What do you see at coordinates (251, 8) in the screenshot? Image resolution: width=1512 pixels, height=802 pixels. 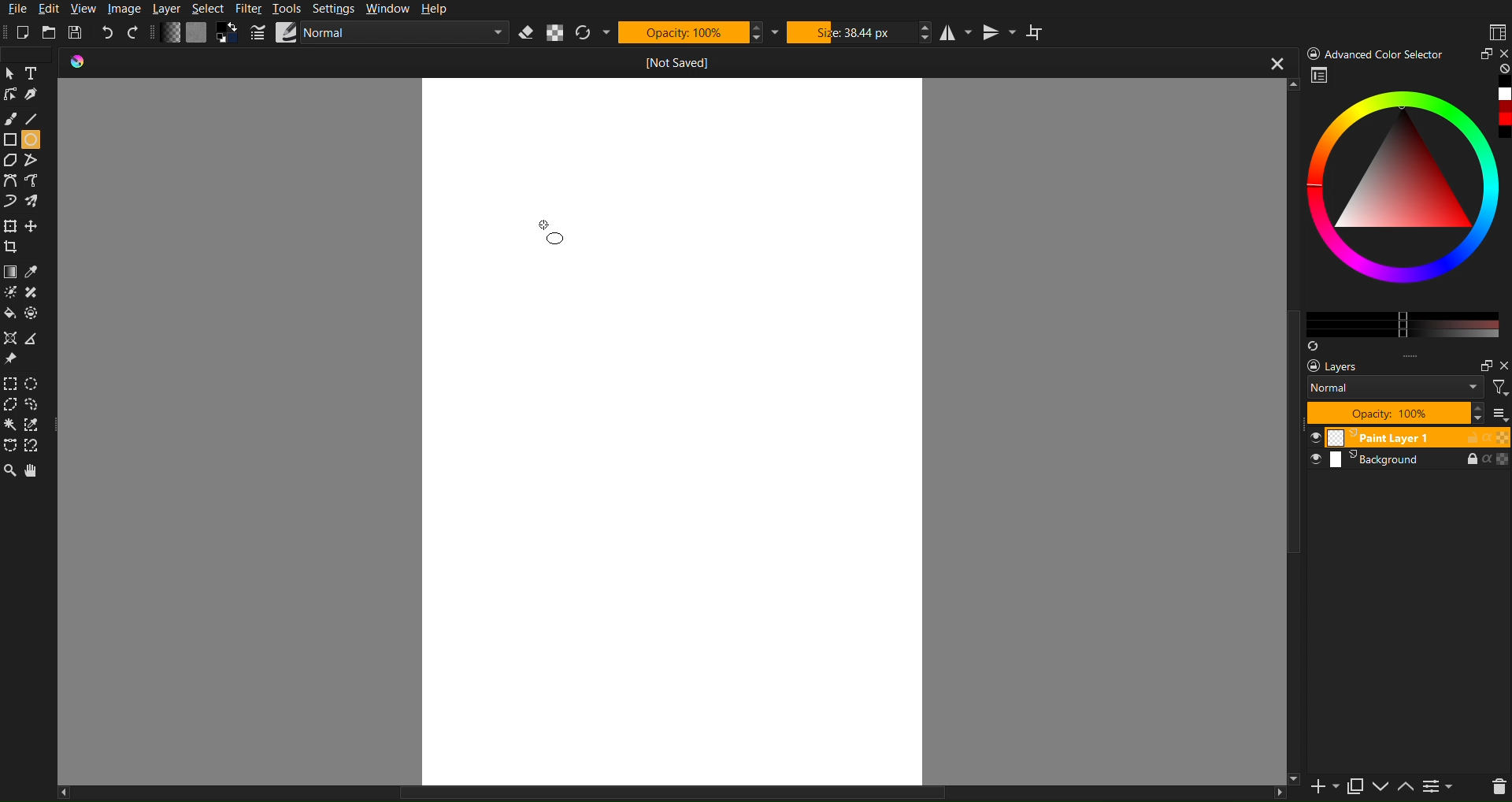 I see `Filter` at bounding box center [251, 8].